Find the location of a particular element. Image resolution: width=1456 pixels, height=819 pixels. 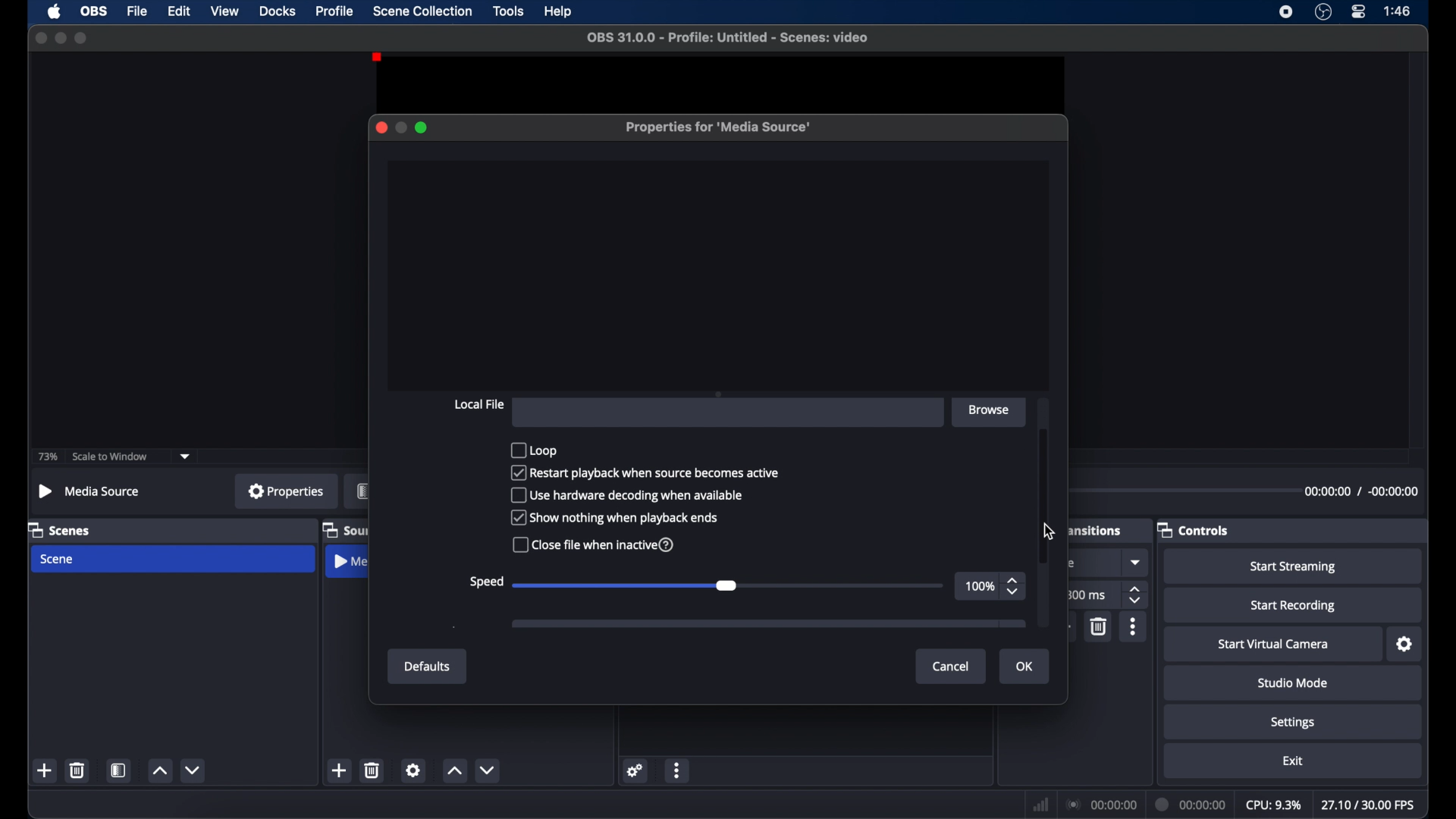

speed is located at coordinates (485, 582).